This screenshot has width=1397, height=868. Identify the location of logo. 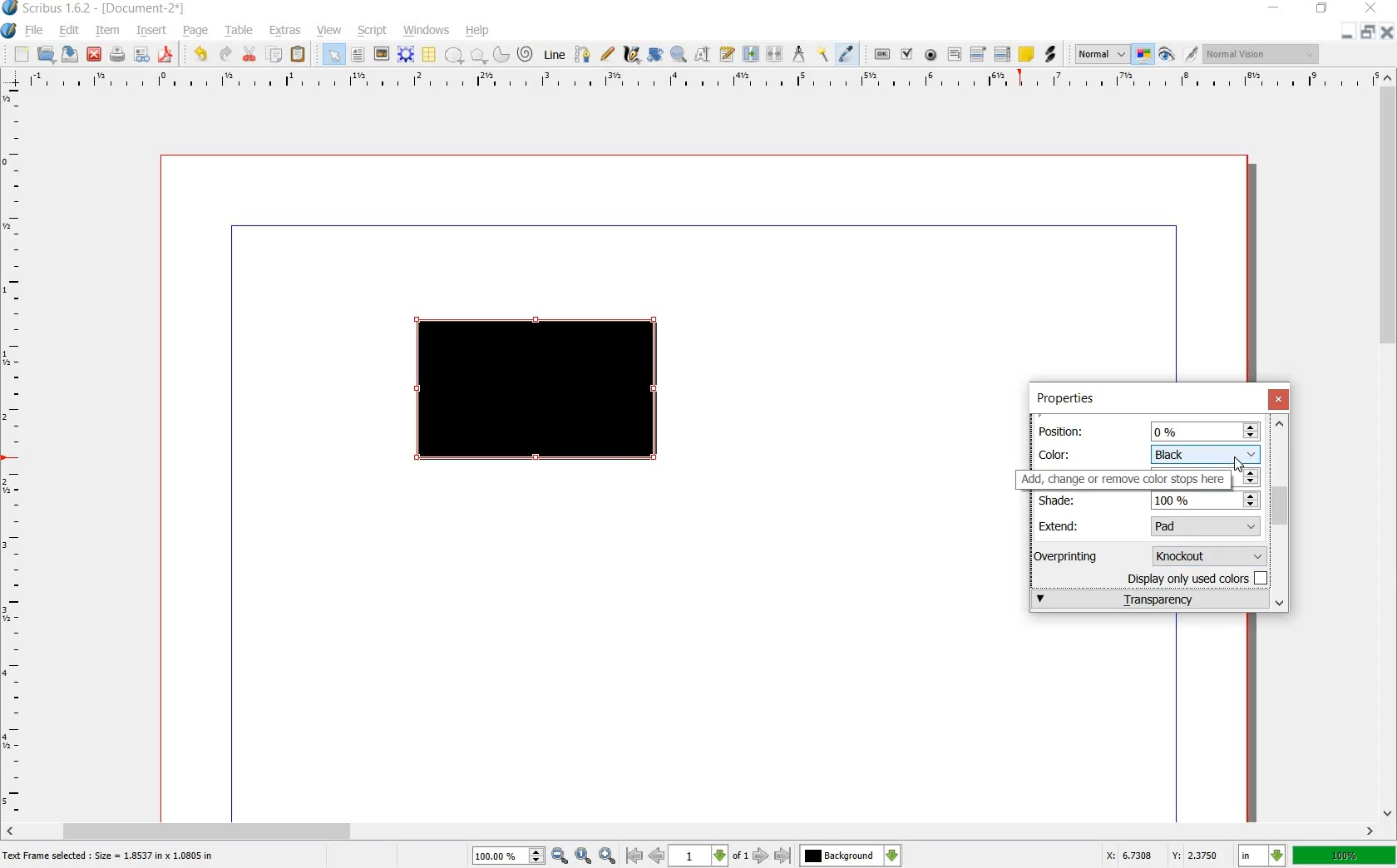
(11, 9).